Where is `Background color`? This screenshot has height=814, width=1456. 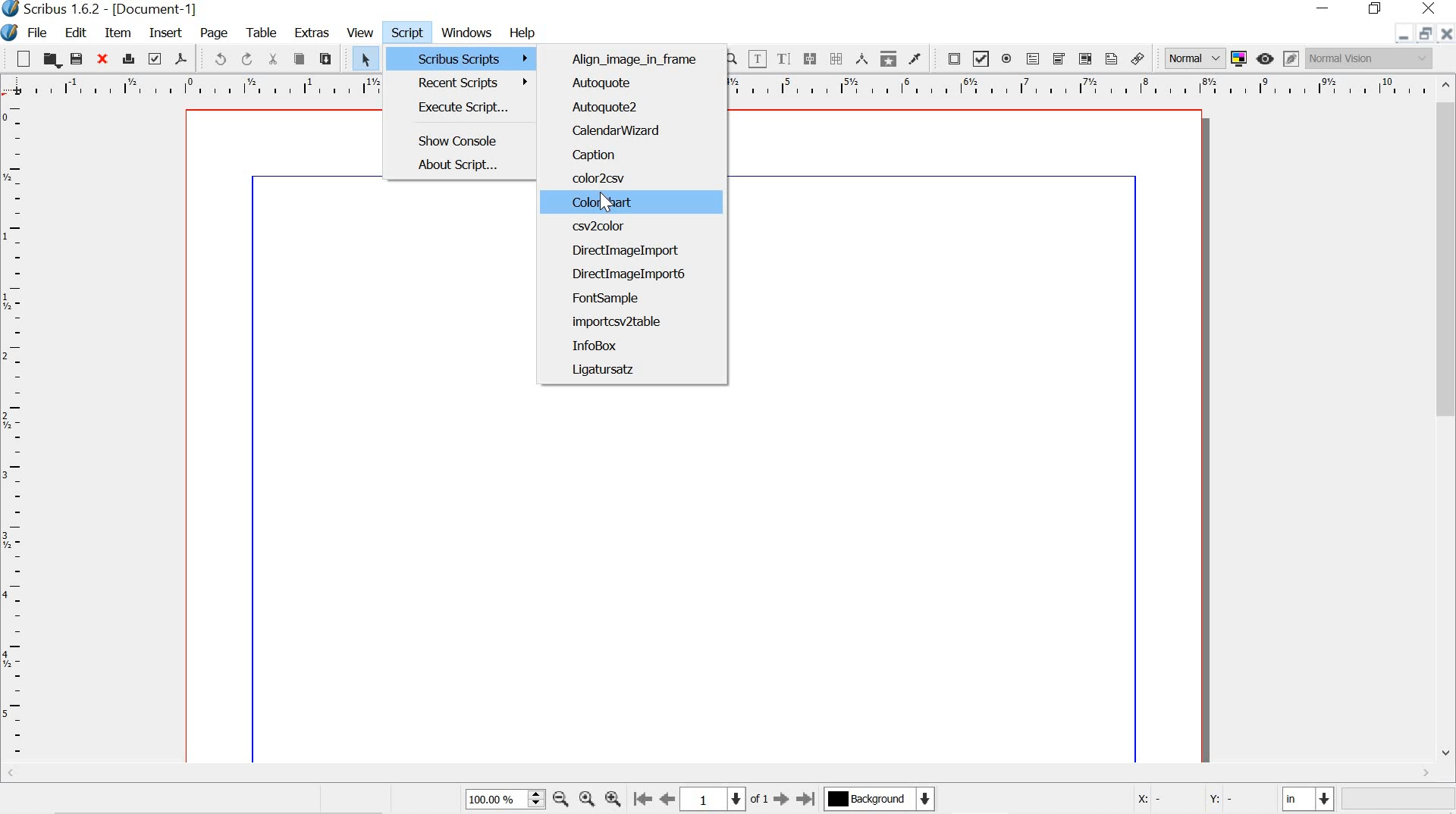
Background color is located at coordinates (878, 799).